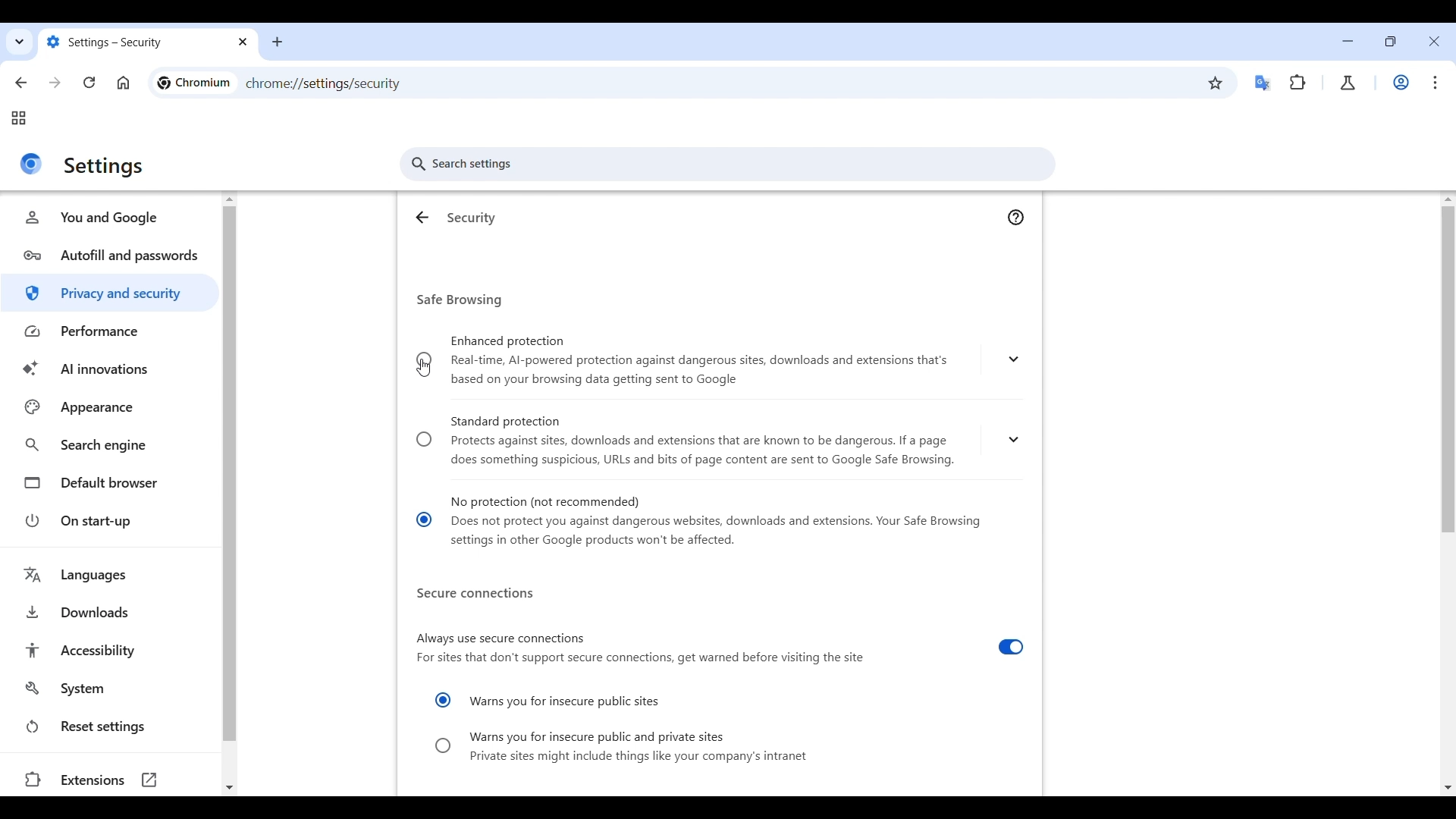  What do you see at coordinates (111, 331) in the screenshot?
I see `Performance` at bounding box center [111, 331].